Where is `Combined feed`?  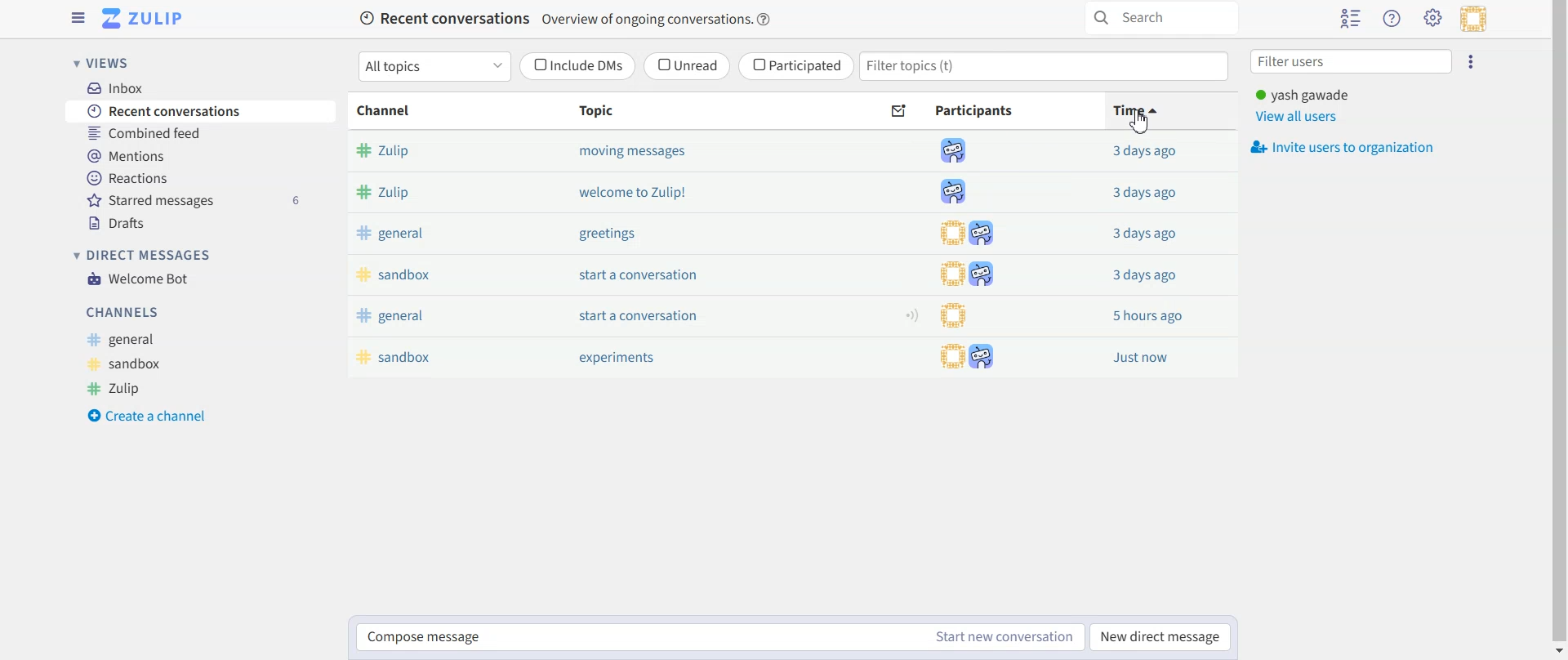
Combined feed is located at coordinates (201, 133).